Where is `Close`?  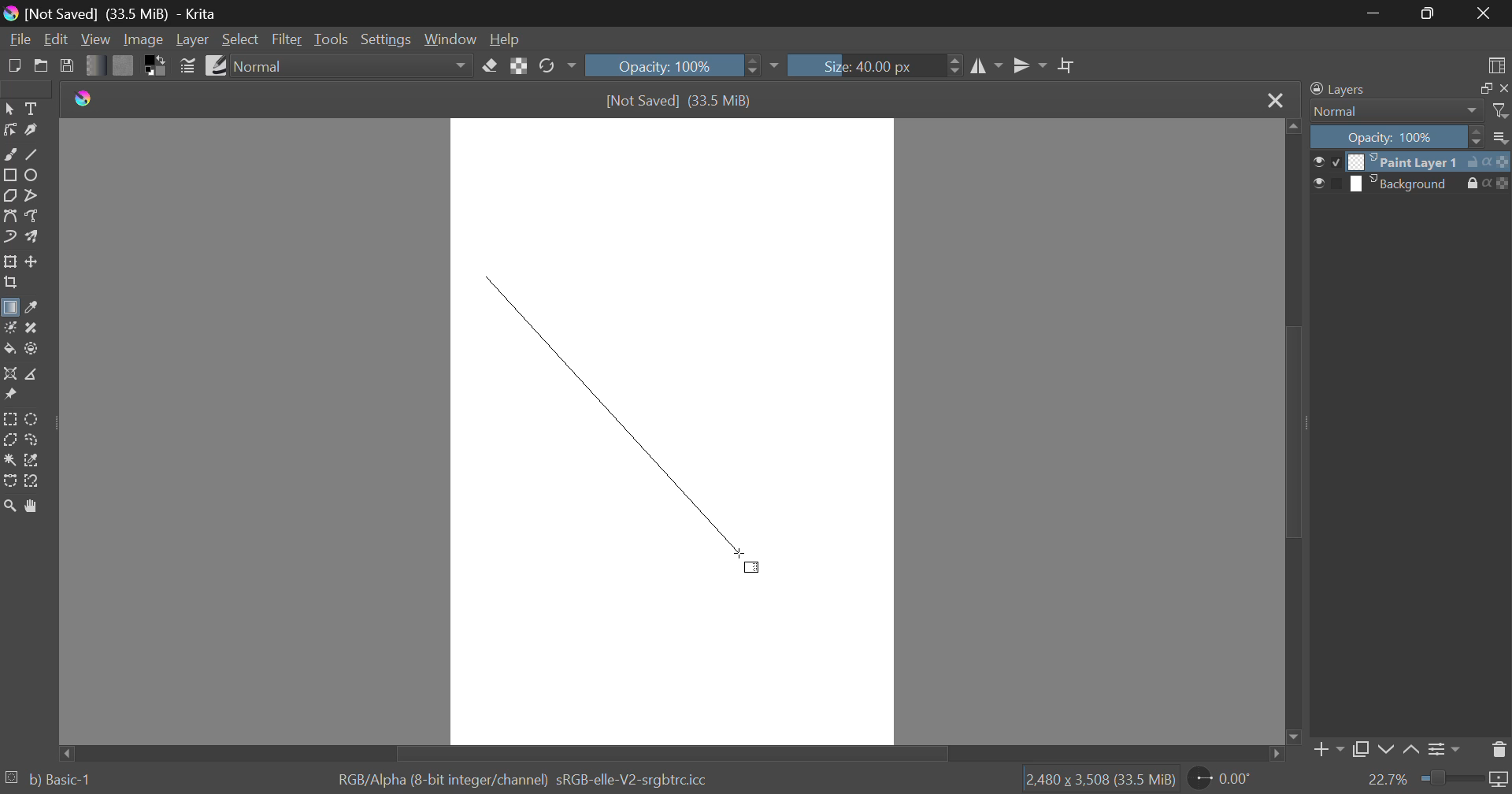 Close is located at coordinates (1274, 100).